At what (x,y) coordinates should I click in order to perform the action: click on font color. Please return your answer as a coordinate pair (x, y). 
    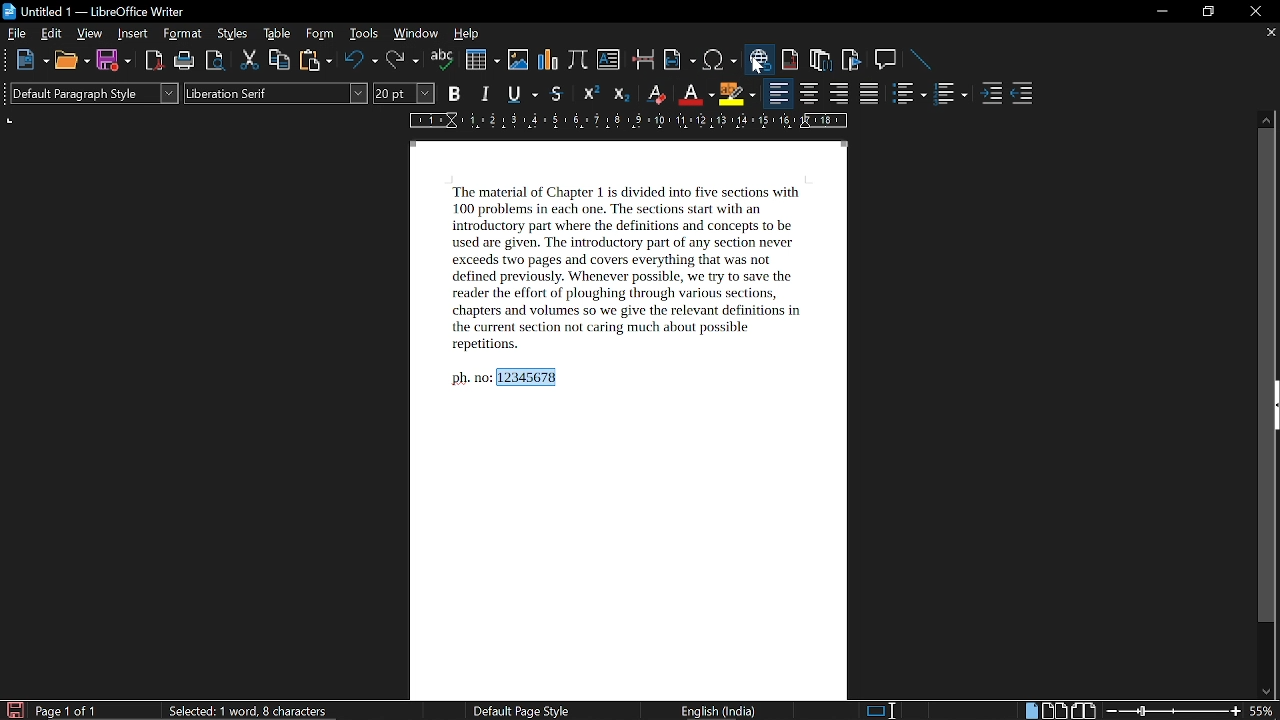
    Looking at the image, I should click on (694, 95).